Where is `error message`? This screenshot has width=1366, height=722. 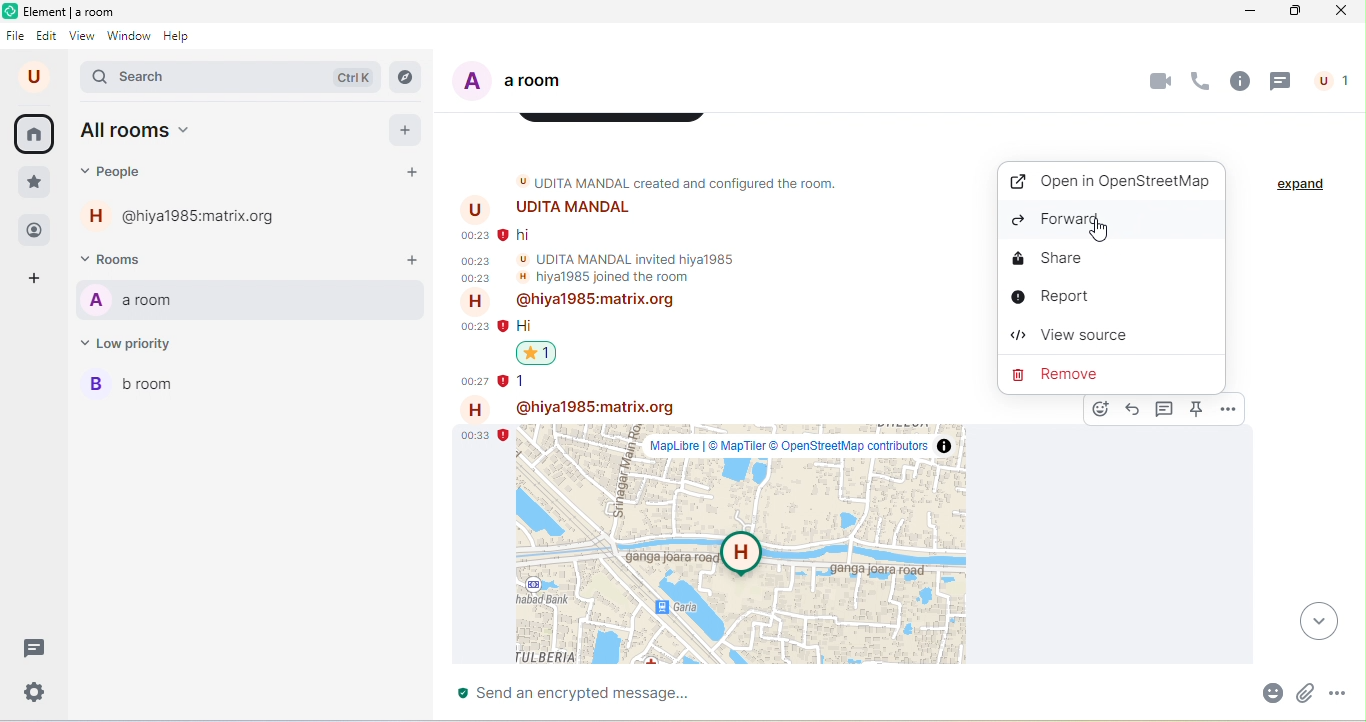 error message is located at coordinates (505, 381).